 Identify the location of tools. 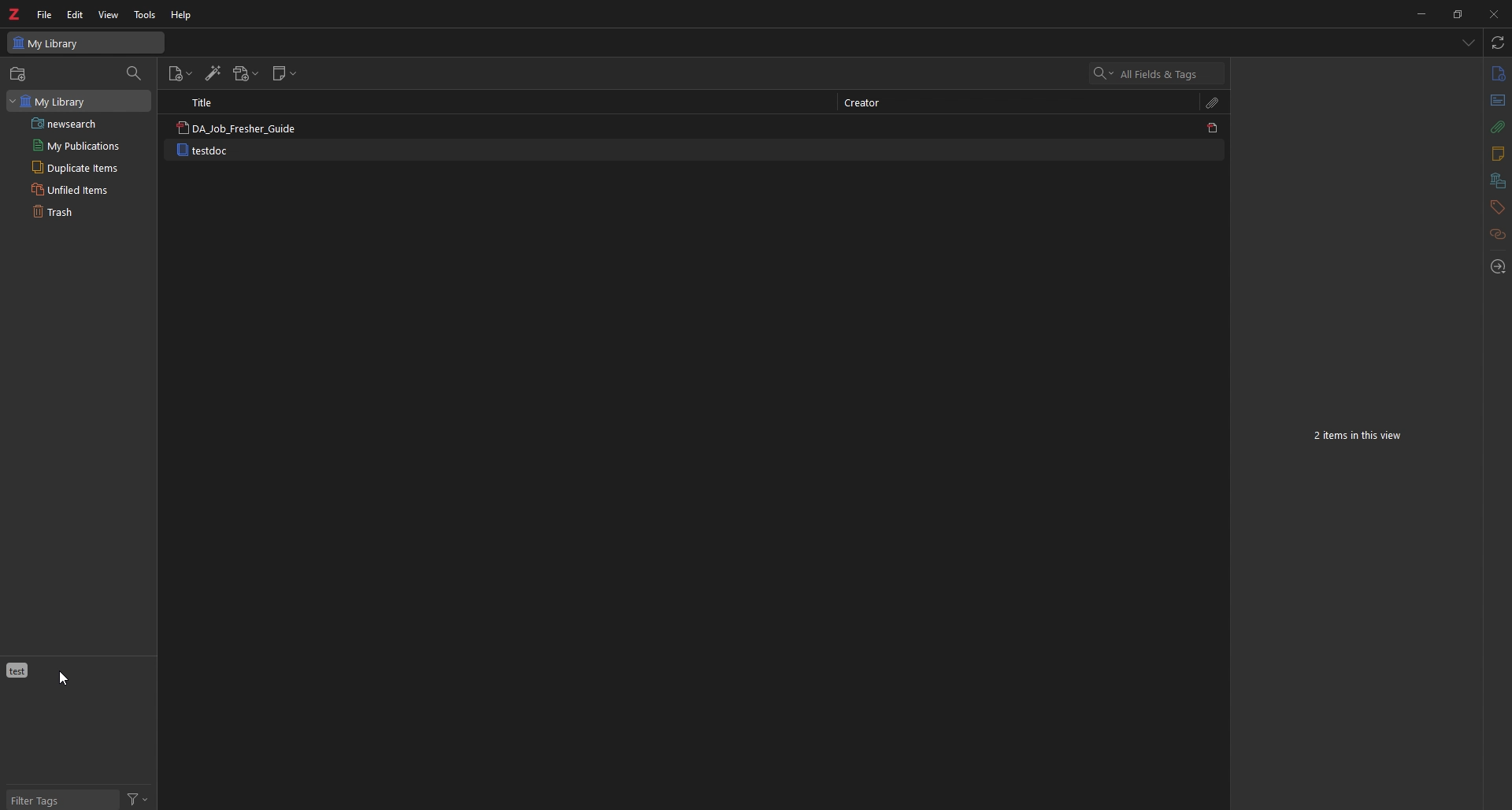
(144, 15).